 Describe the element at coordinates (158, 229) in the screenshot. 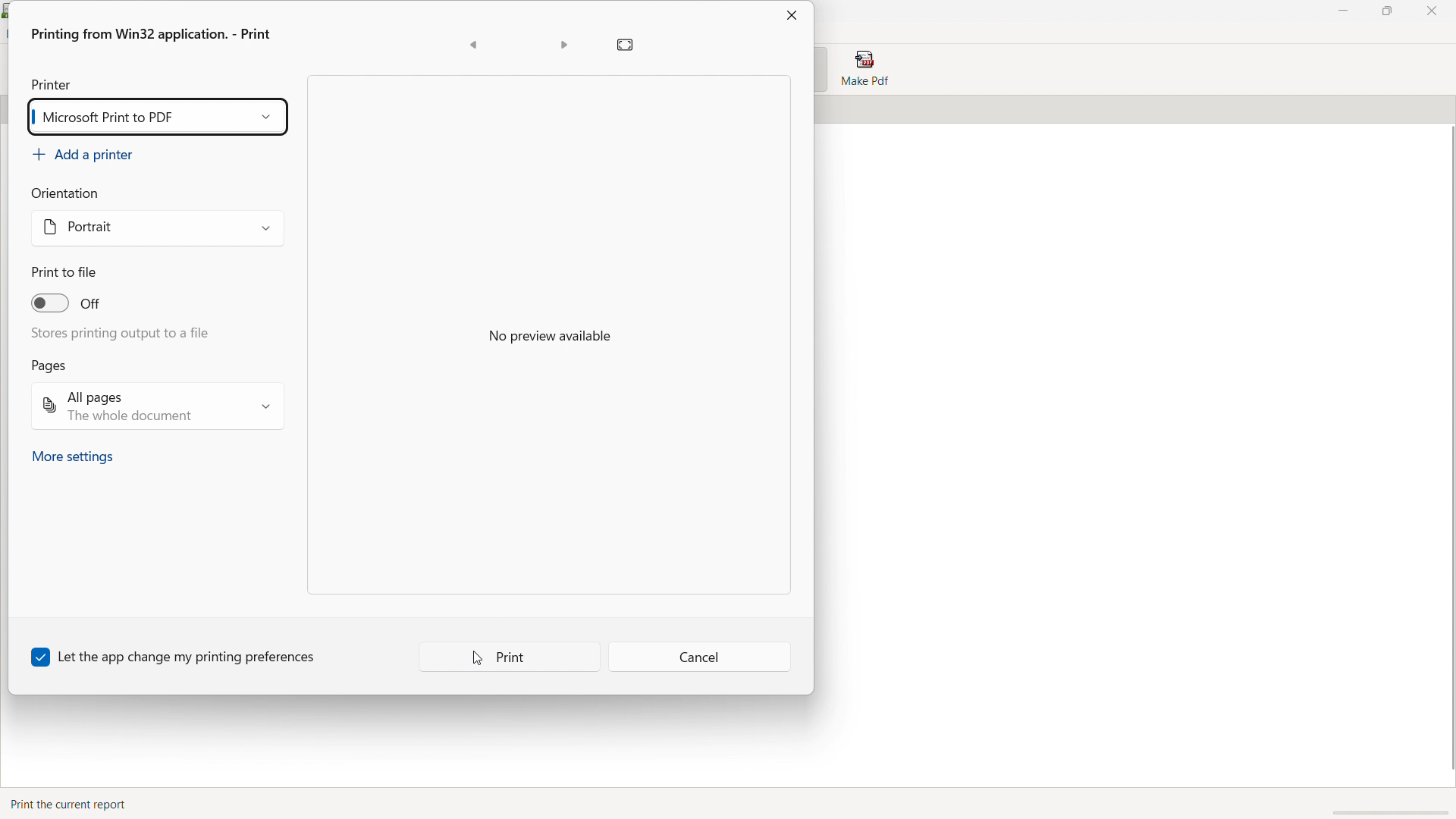

I see `select orientation` at that location.